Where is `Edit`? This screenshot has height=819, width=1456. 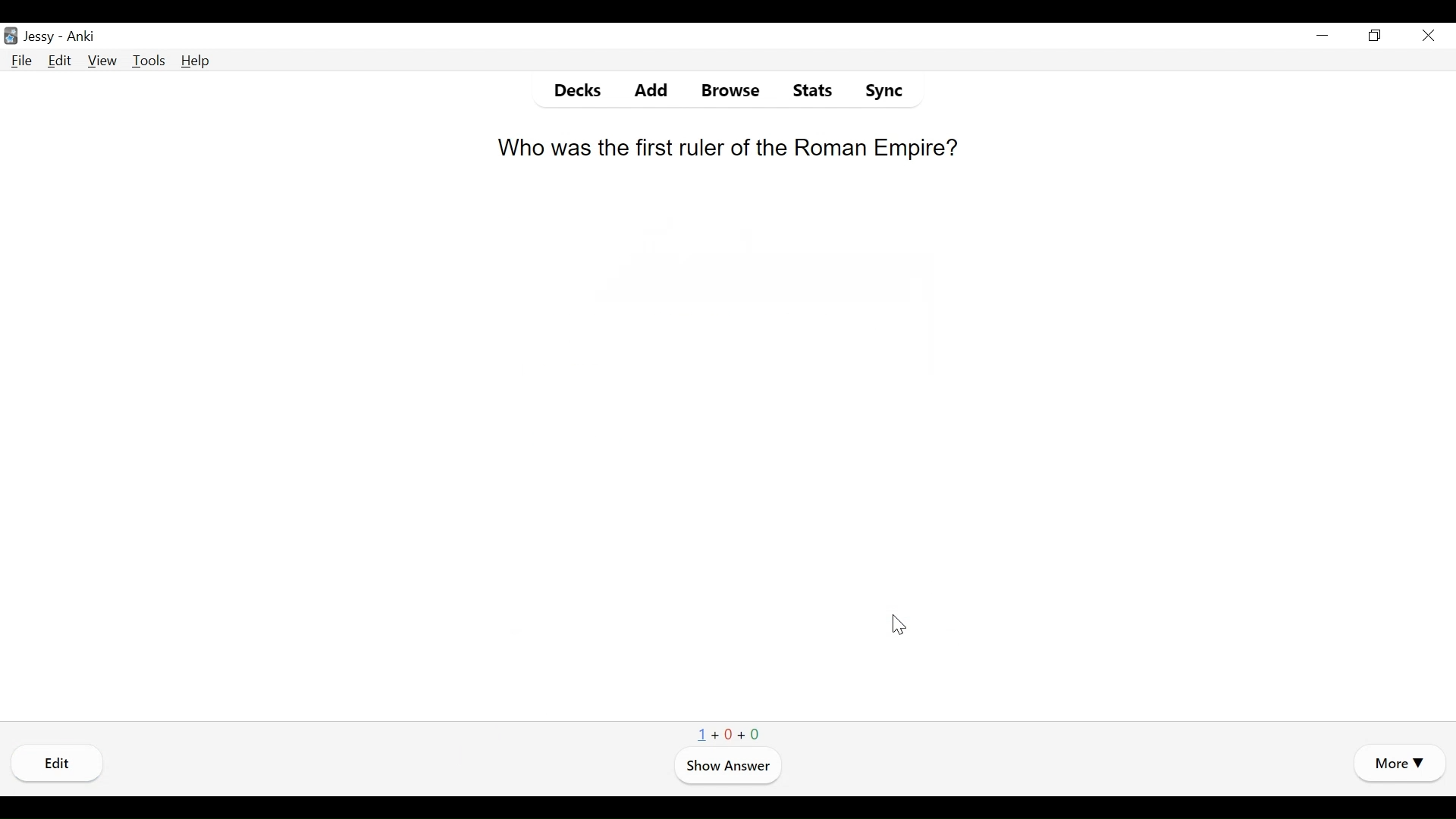 Edit is located at coordinates (60, 61).